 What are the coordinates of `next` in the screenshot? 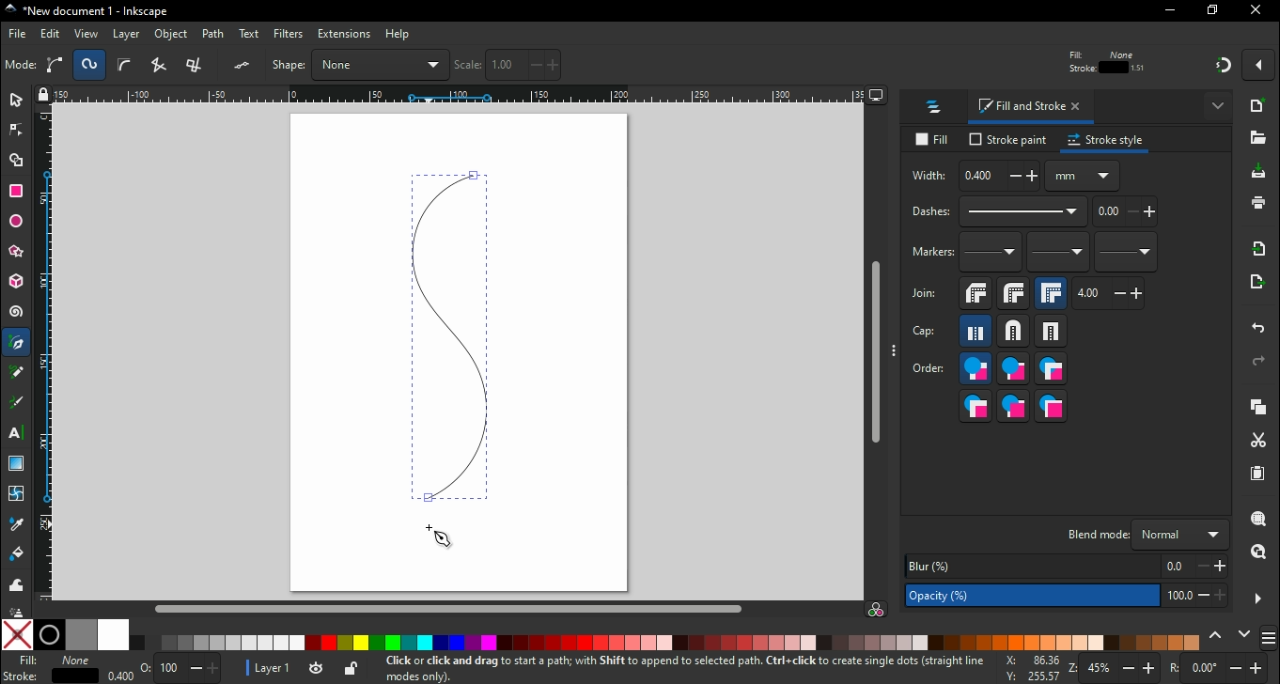 It's located at (1245, 634).